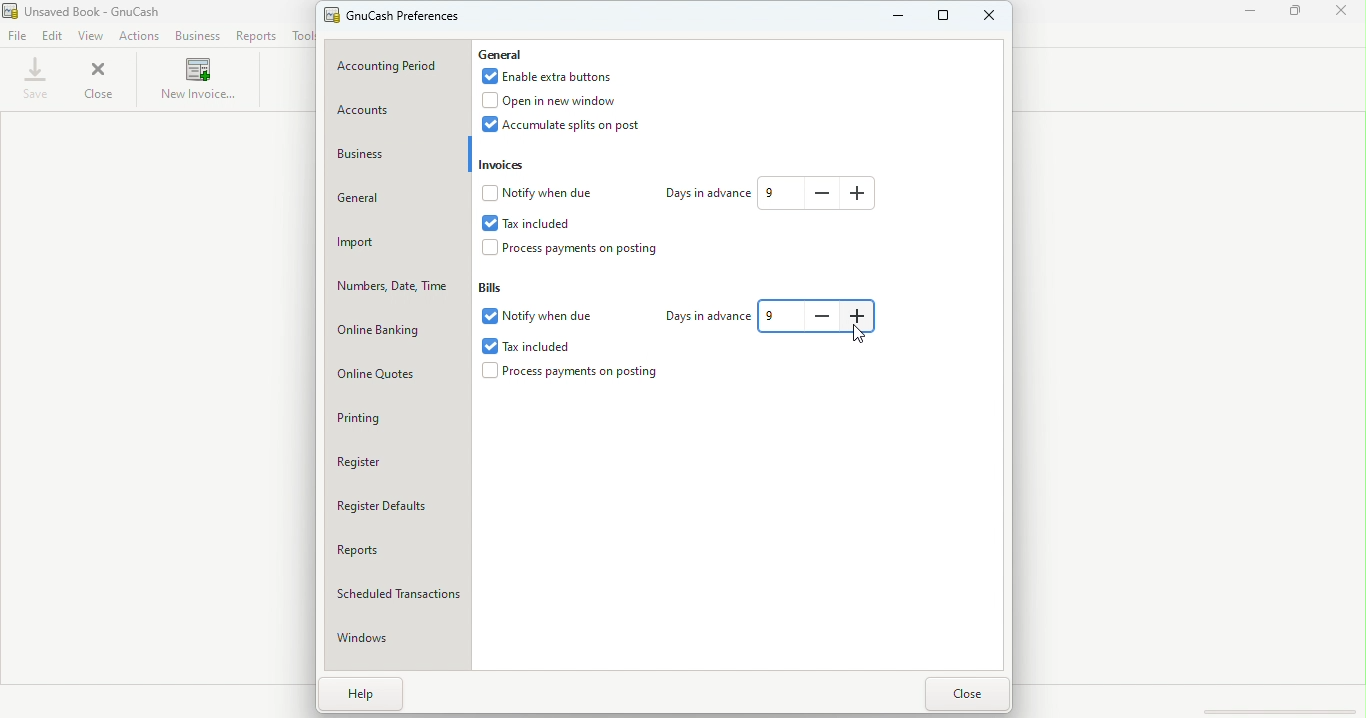 This screenshot has height=718, width=1366. I want to click on Register, so click(393, 459).